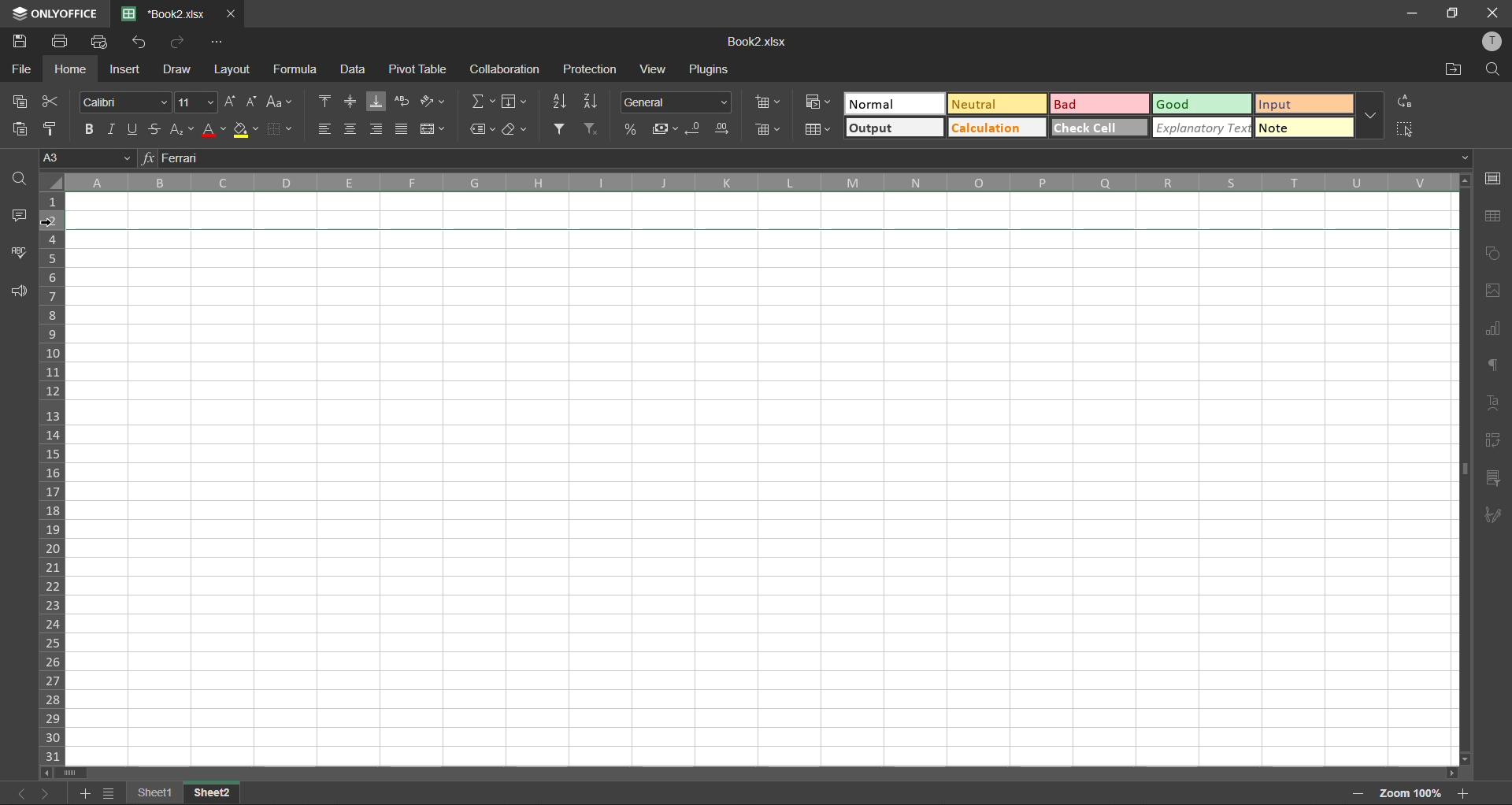  I want to click on accounting, so click(667, 130).